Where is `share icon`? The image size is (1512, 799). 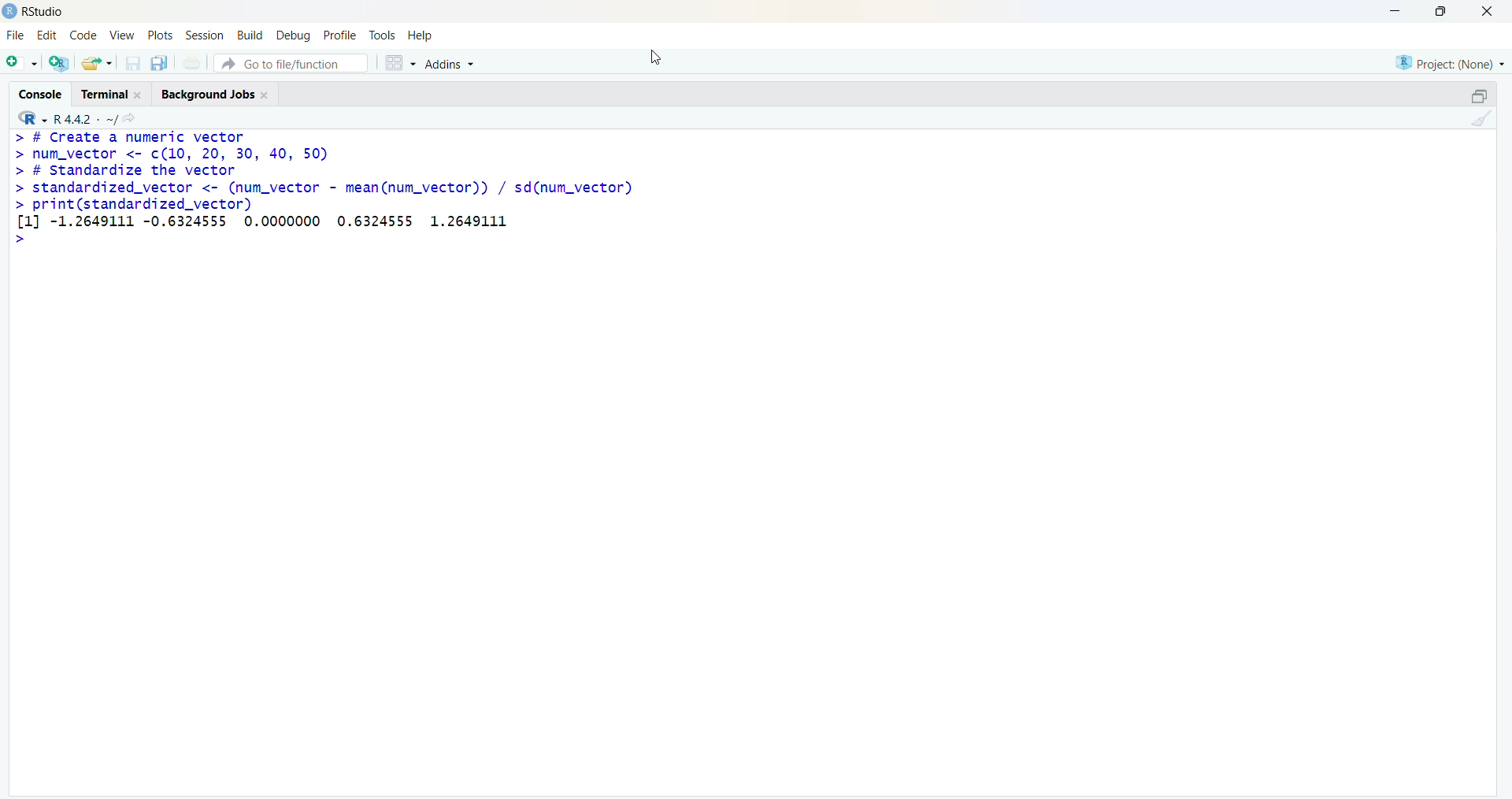 share icon is located at coordinates (129, 118).